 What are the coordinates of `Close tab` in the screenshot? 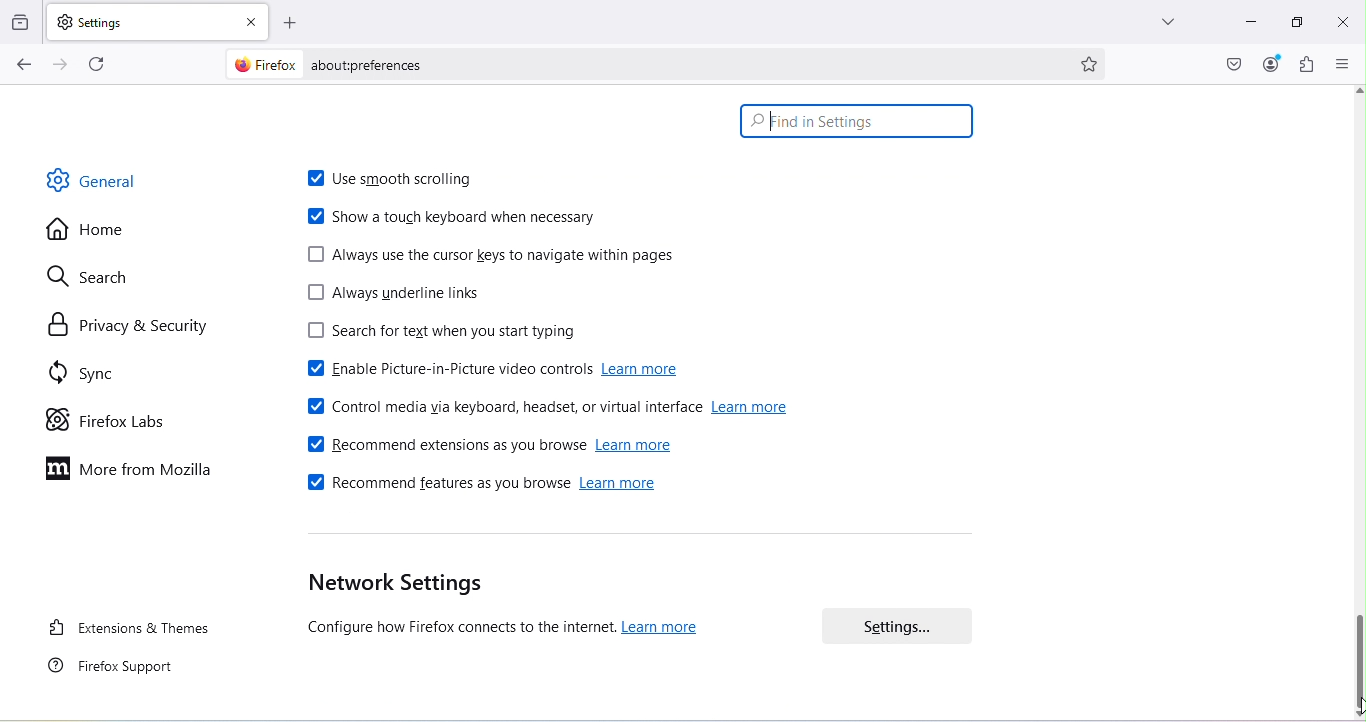 It's located at (254, 23).